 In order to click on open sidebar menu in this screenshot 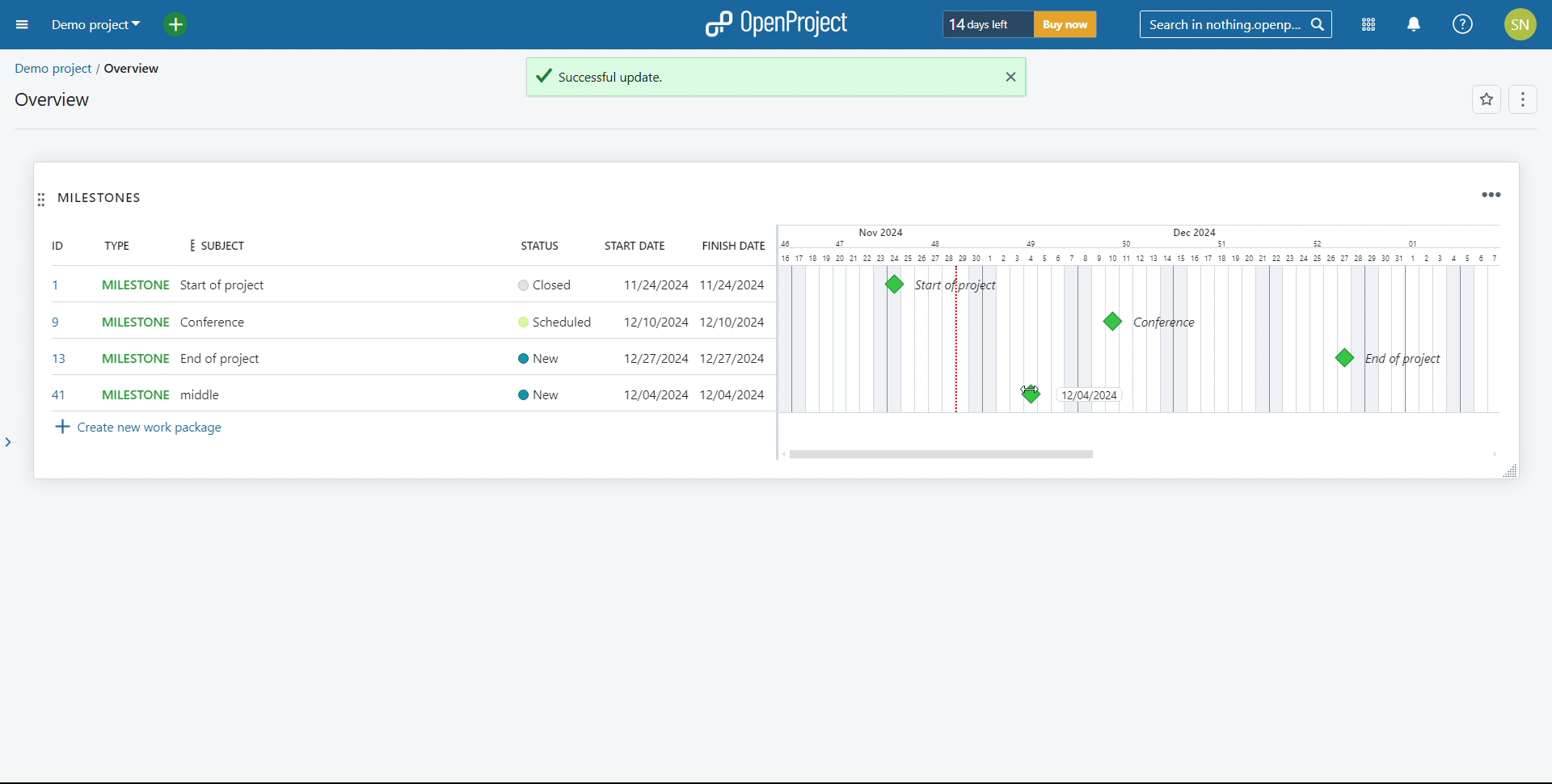, I will do `click(23, 25)`.